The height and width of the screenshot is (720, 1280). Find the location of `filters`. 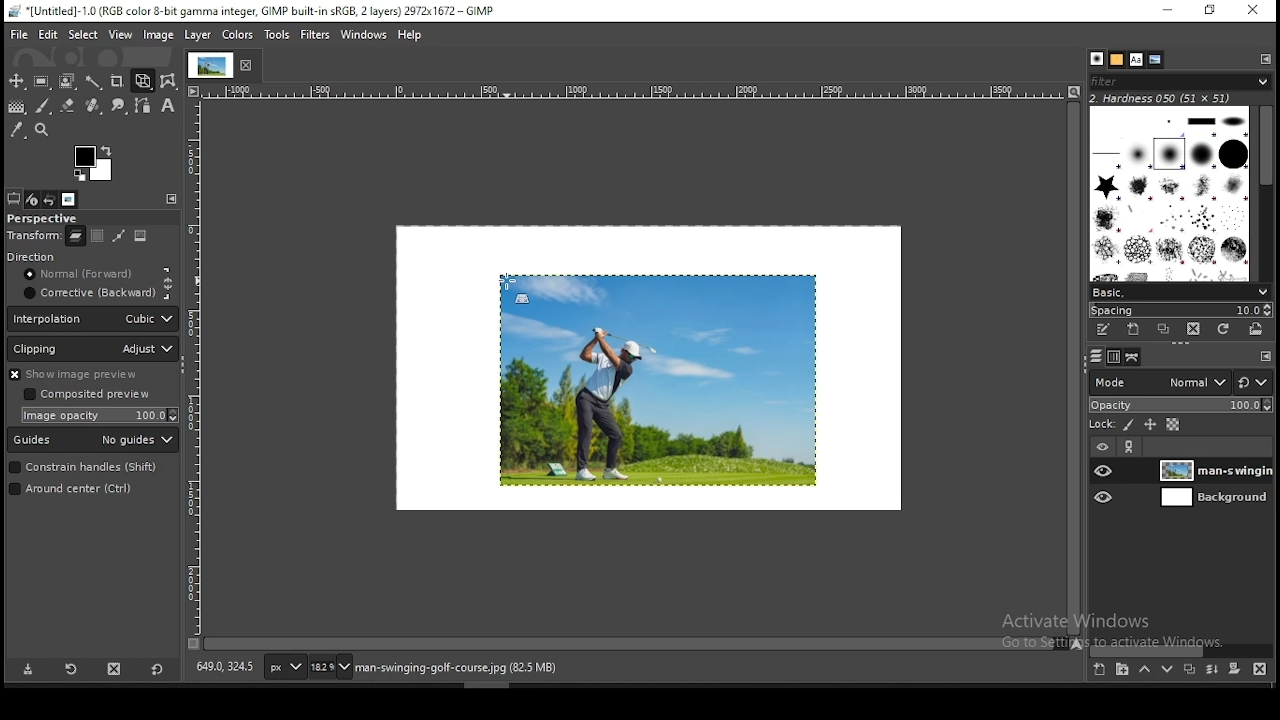

filters is located at coordinates (314, 34).